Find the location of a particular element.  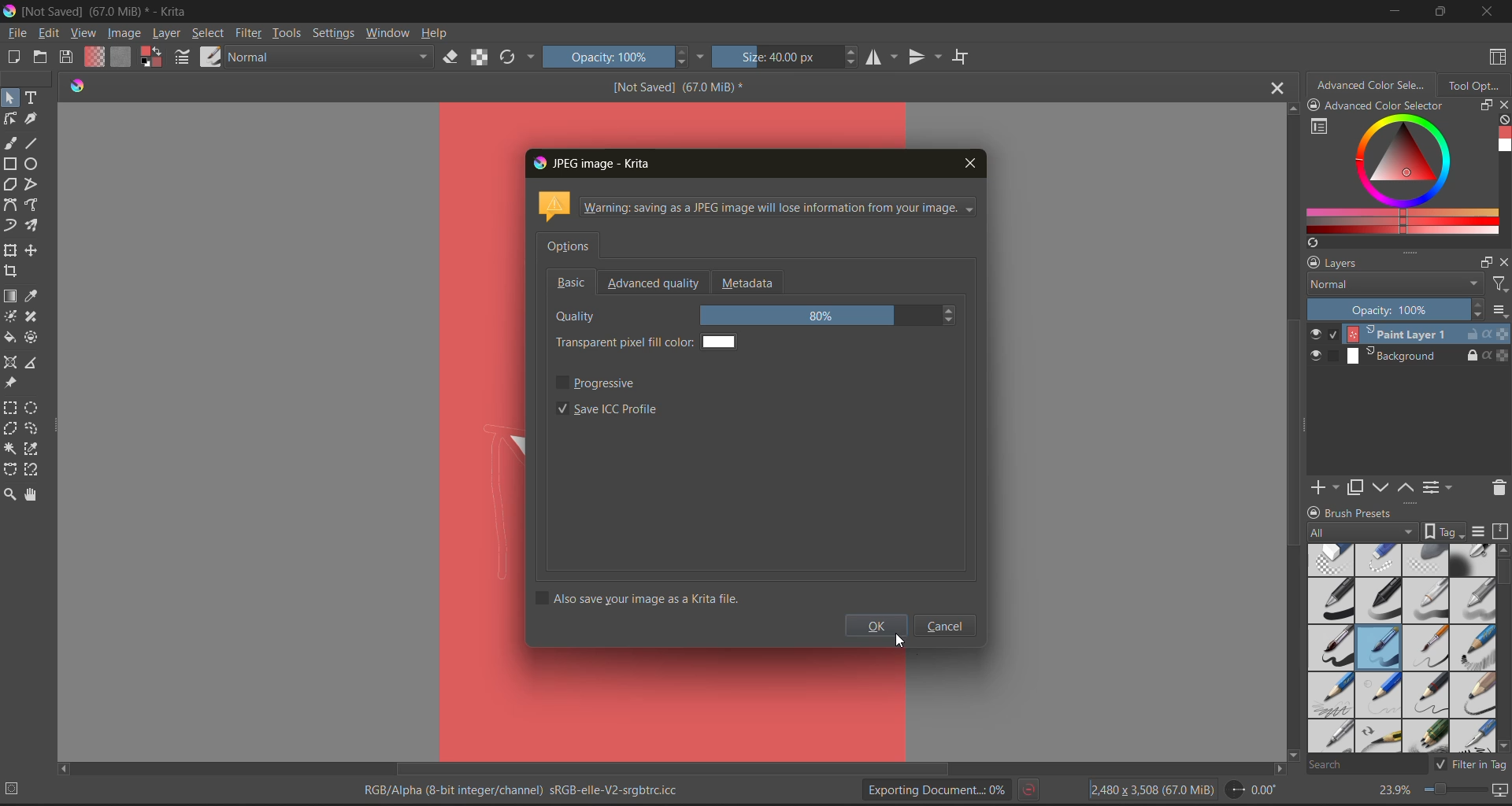

lock/unlock docker is located at coordinates (1314, 511).